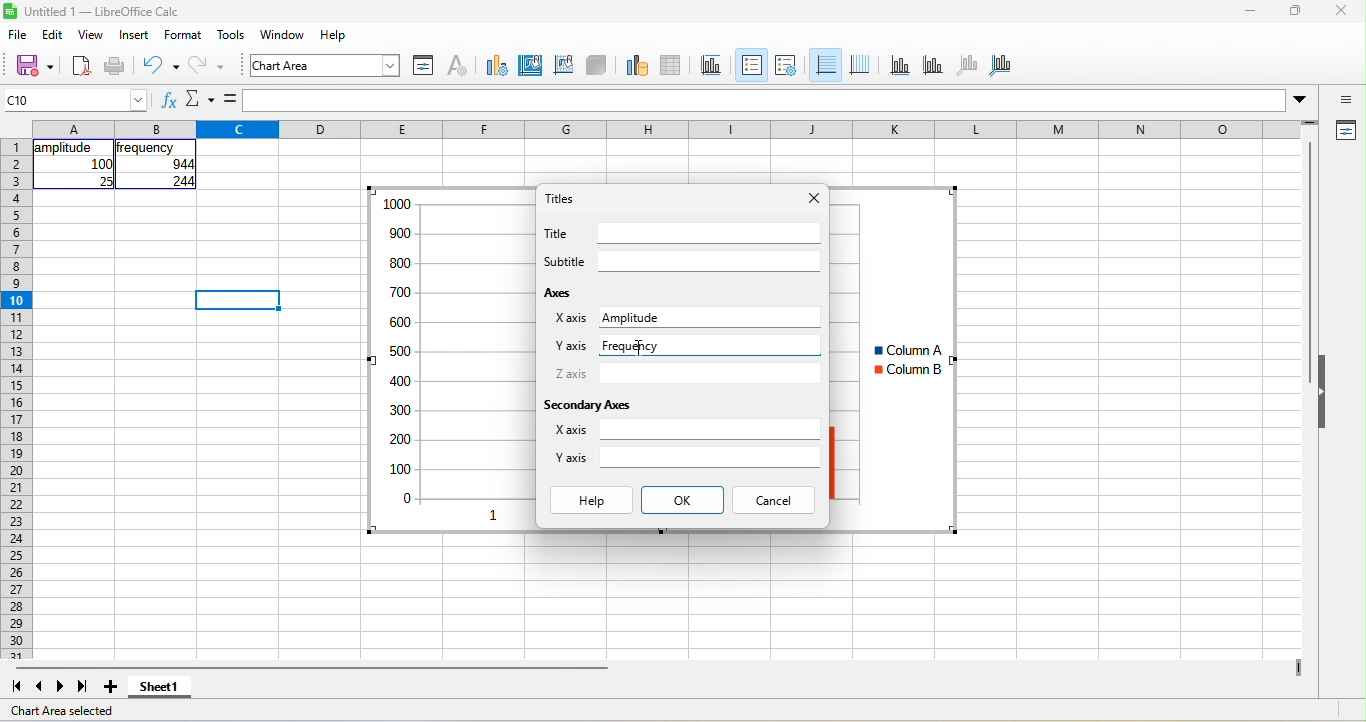 The height and width of the screenshot is (722, 1366). What do you see at coordinates (450, 360) in the screenshot?
I see `Column chart` at bounding box center [450, 360].